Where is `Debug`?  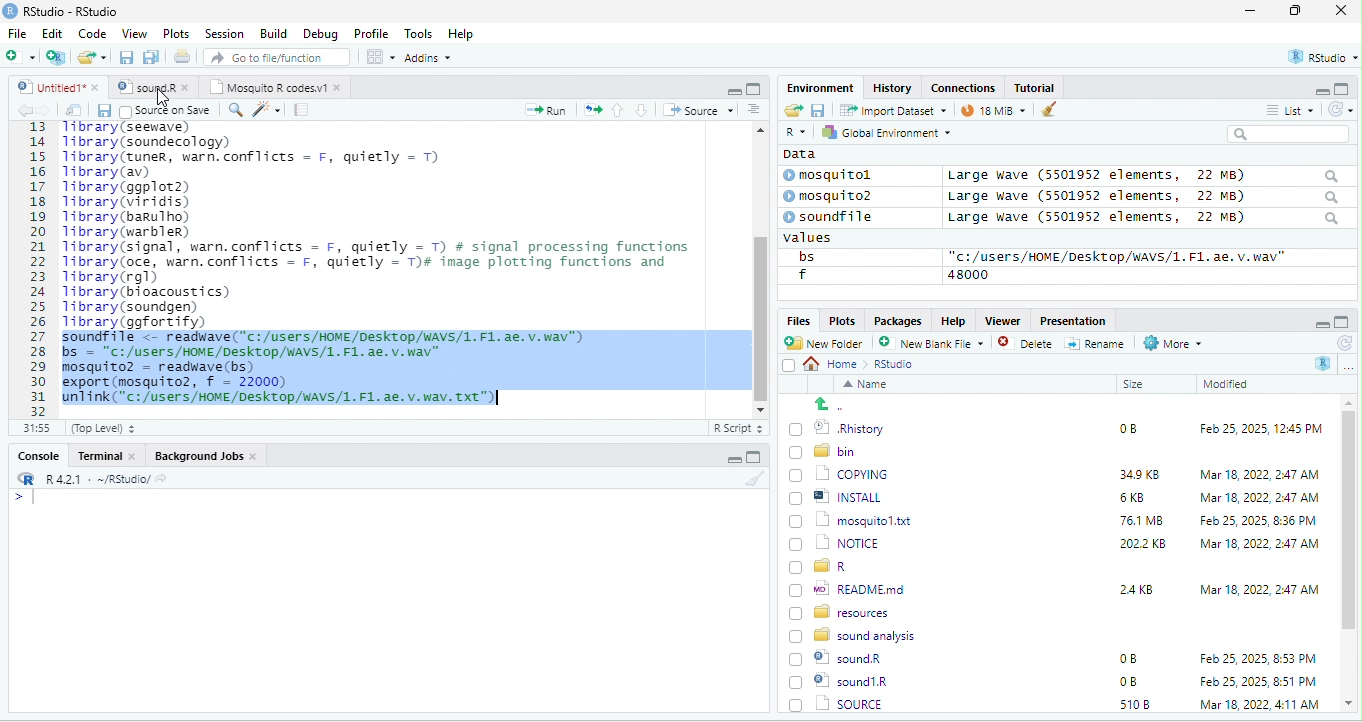 Debug is located at coordinates (320, 33).